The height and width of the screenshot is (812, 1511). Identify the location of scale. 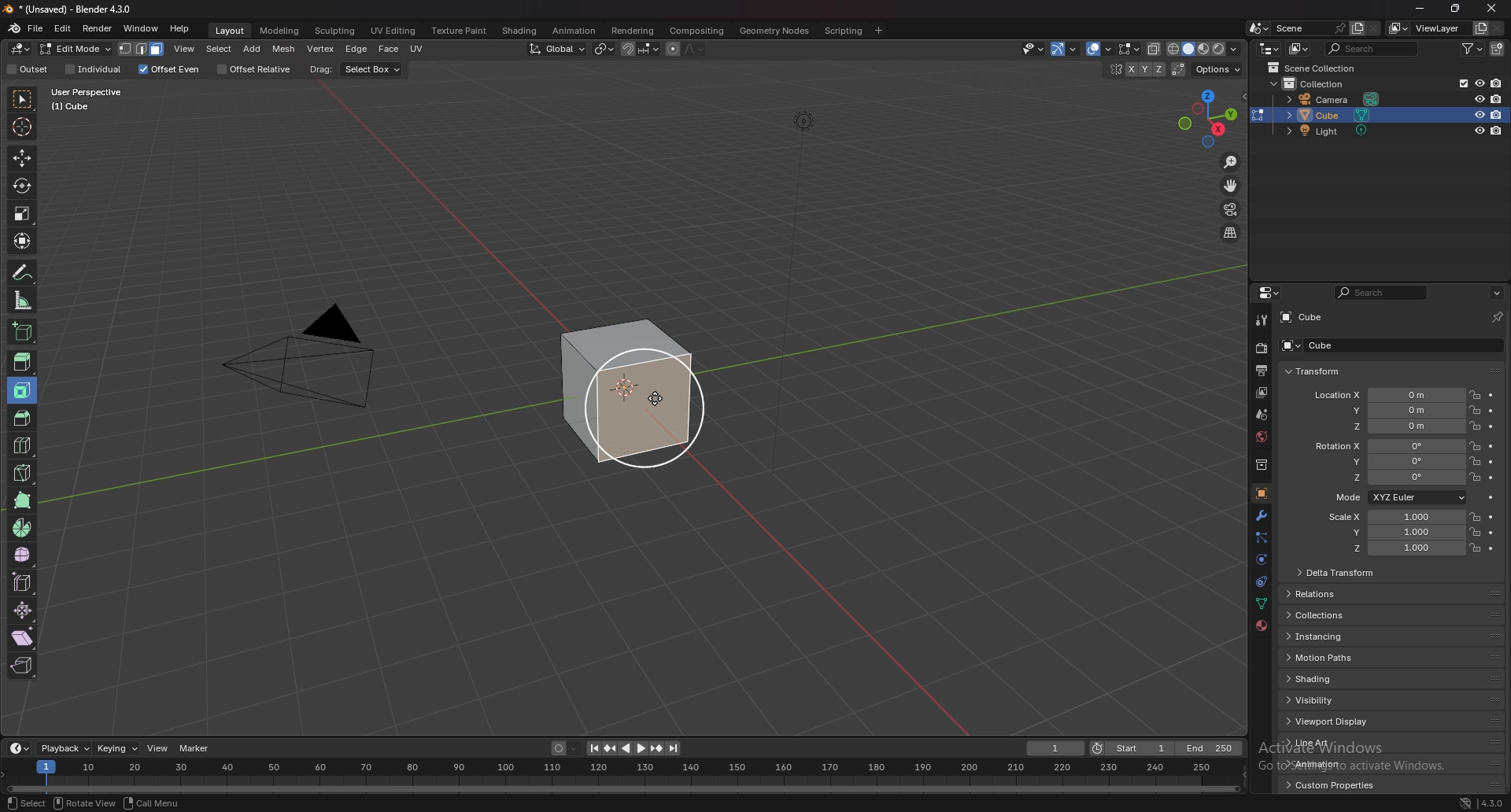
(22, 213).